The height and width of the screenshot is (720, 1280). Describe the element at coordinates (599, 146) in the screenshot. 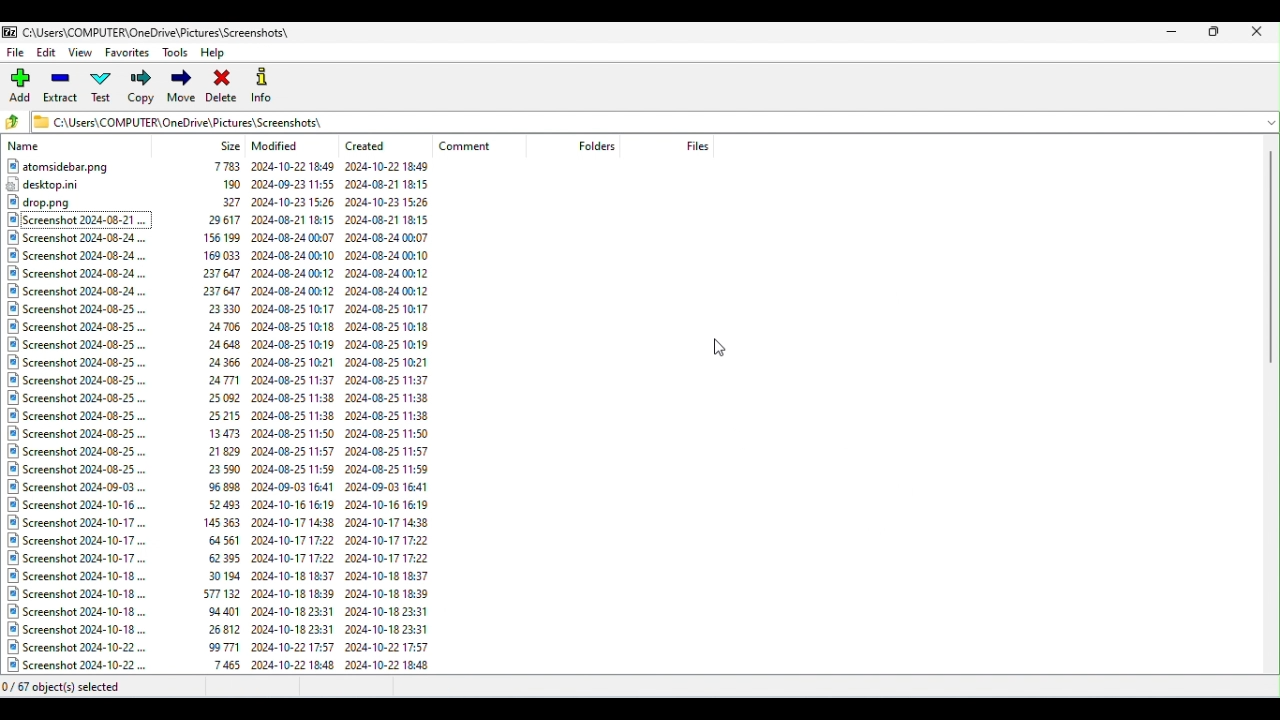

I see `Folders` at that location.